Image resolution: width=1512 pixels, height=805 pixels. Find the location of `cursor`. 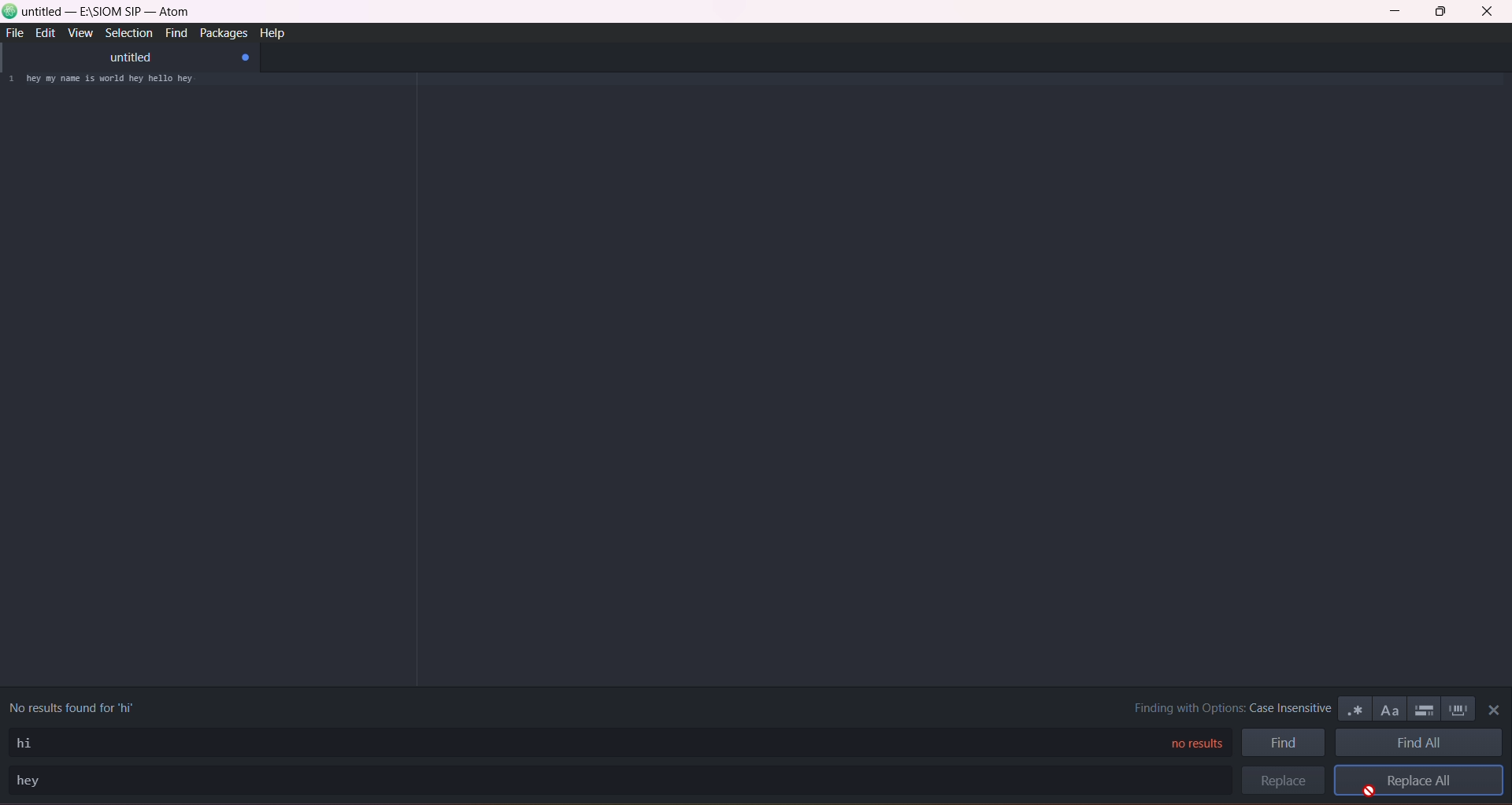

cursor is located at coordinates (1369, 791).